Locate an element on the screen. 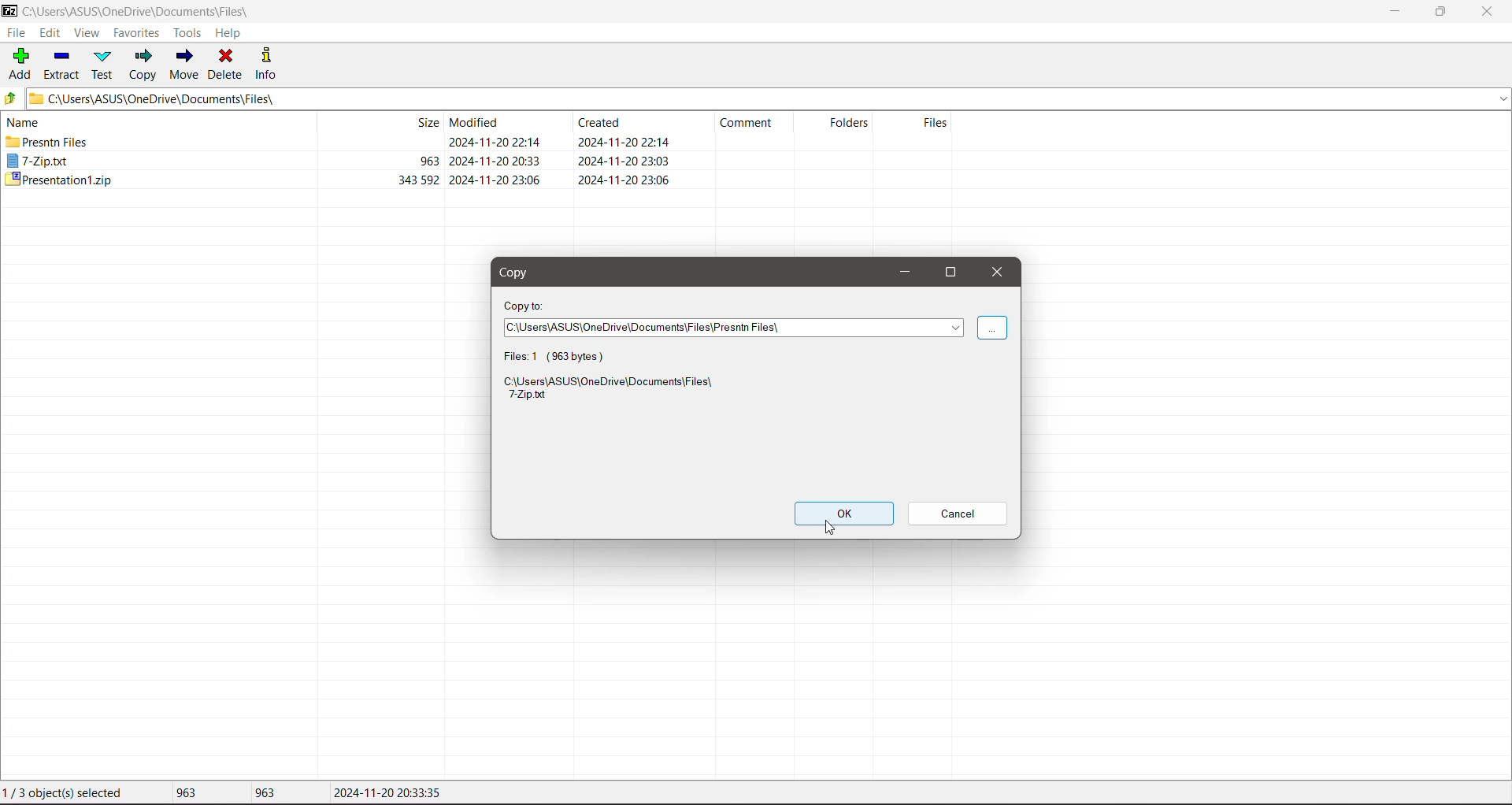  Extract is located at coordinates (61, 63).